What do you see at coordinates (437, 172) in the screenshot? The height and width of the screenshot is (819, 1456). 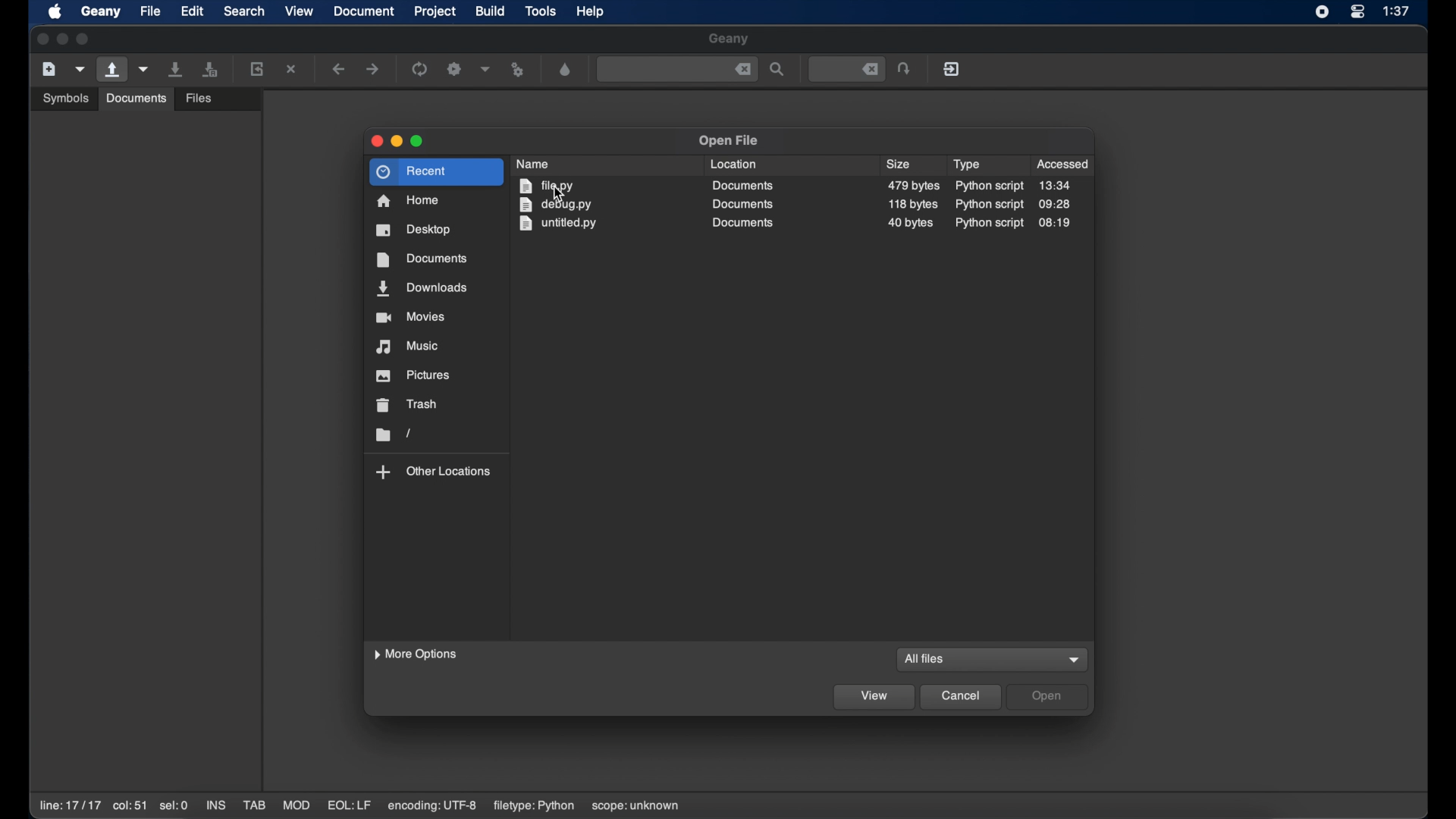 I see `recent` at bounding box center [437, 172].